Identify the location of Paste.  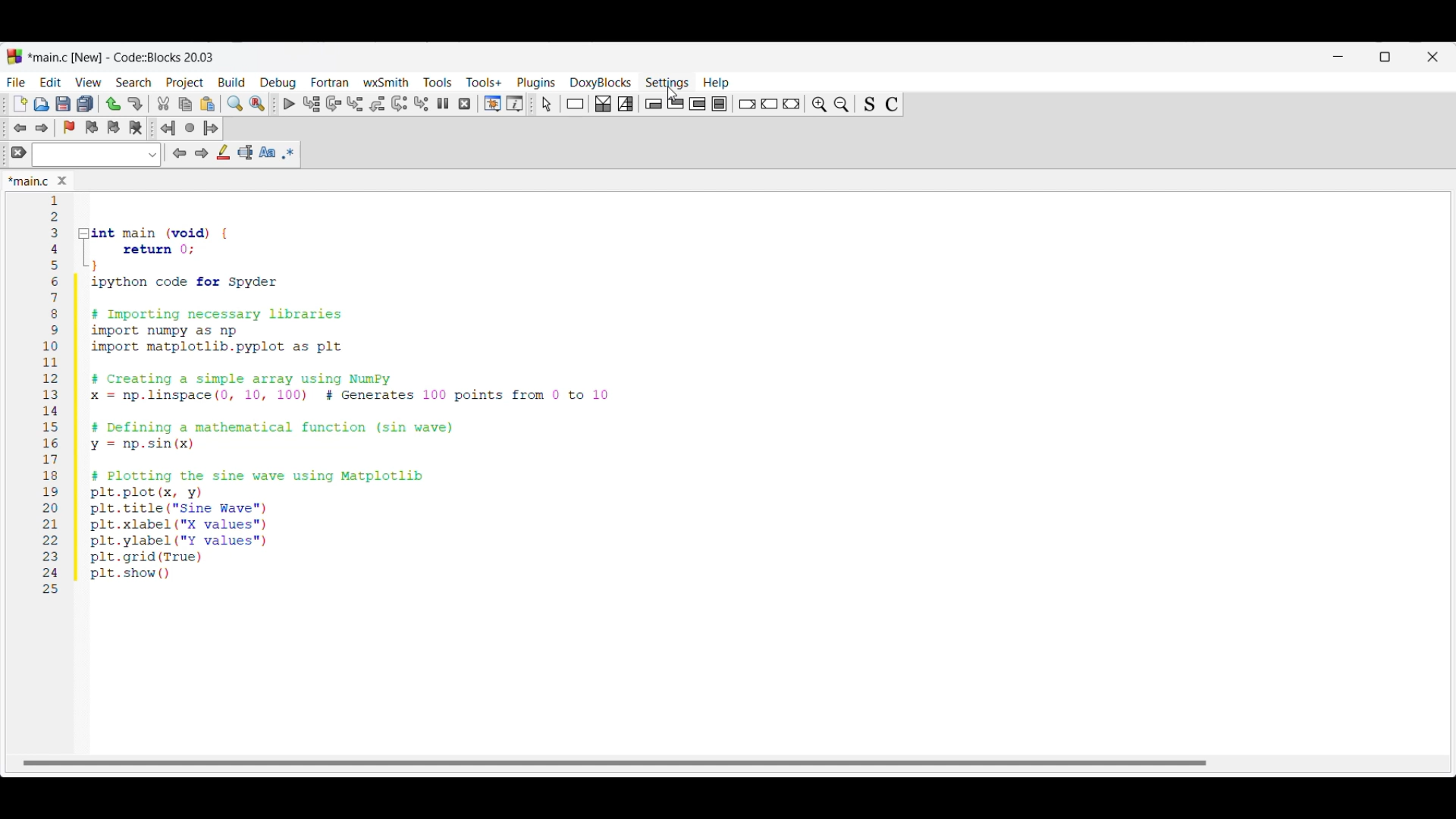
(208, 104).